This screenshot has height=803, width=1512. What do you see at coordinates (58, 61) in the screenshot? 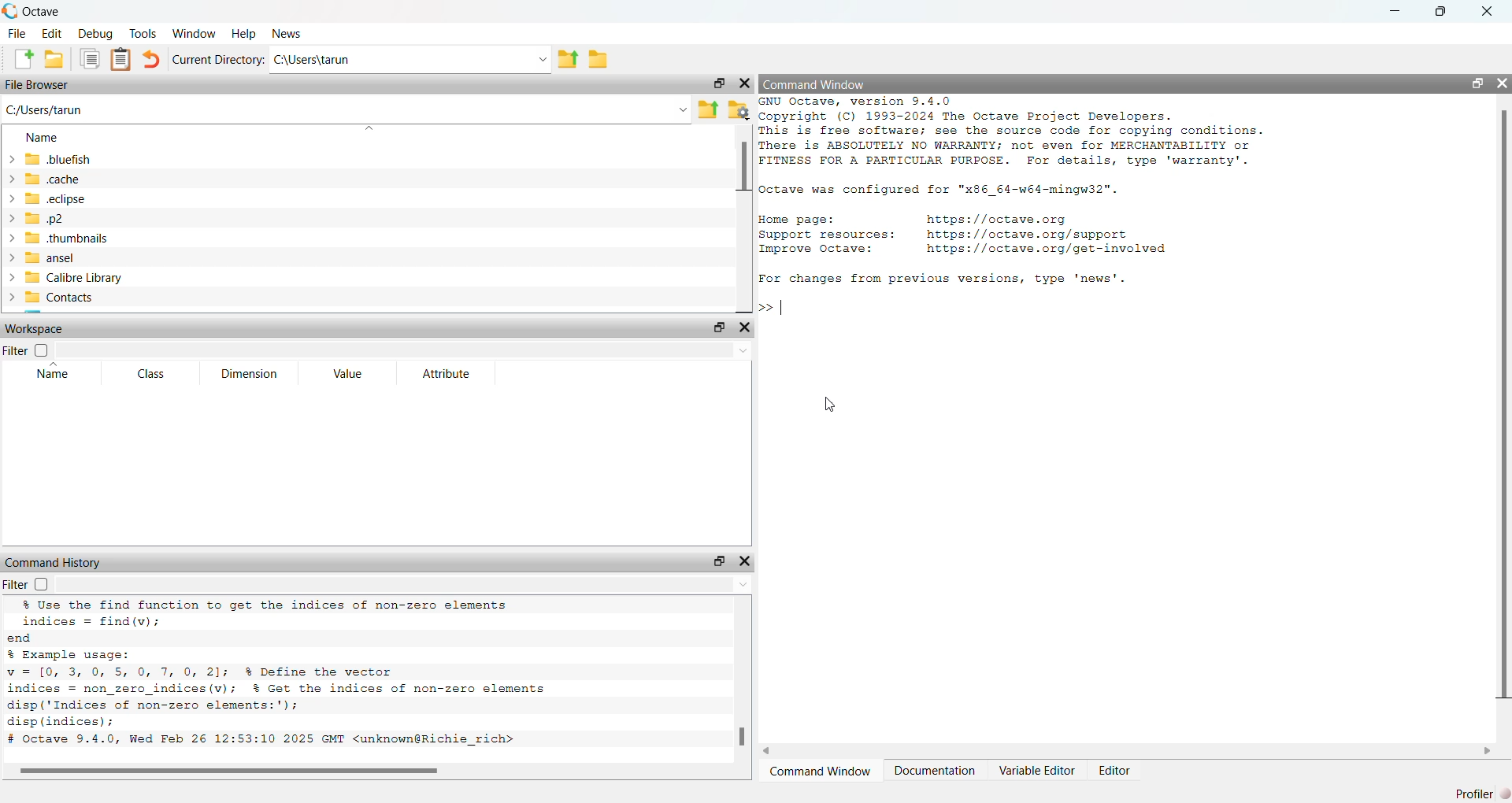
I see `open folder` at bounding box center [58, 61].